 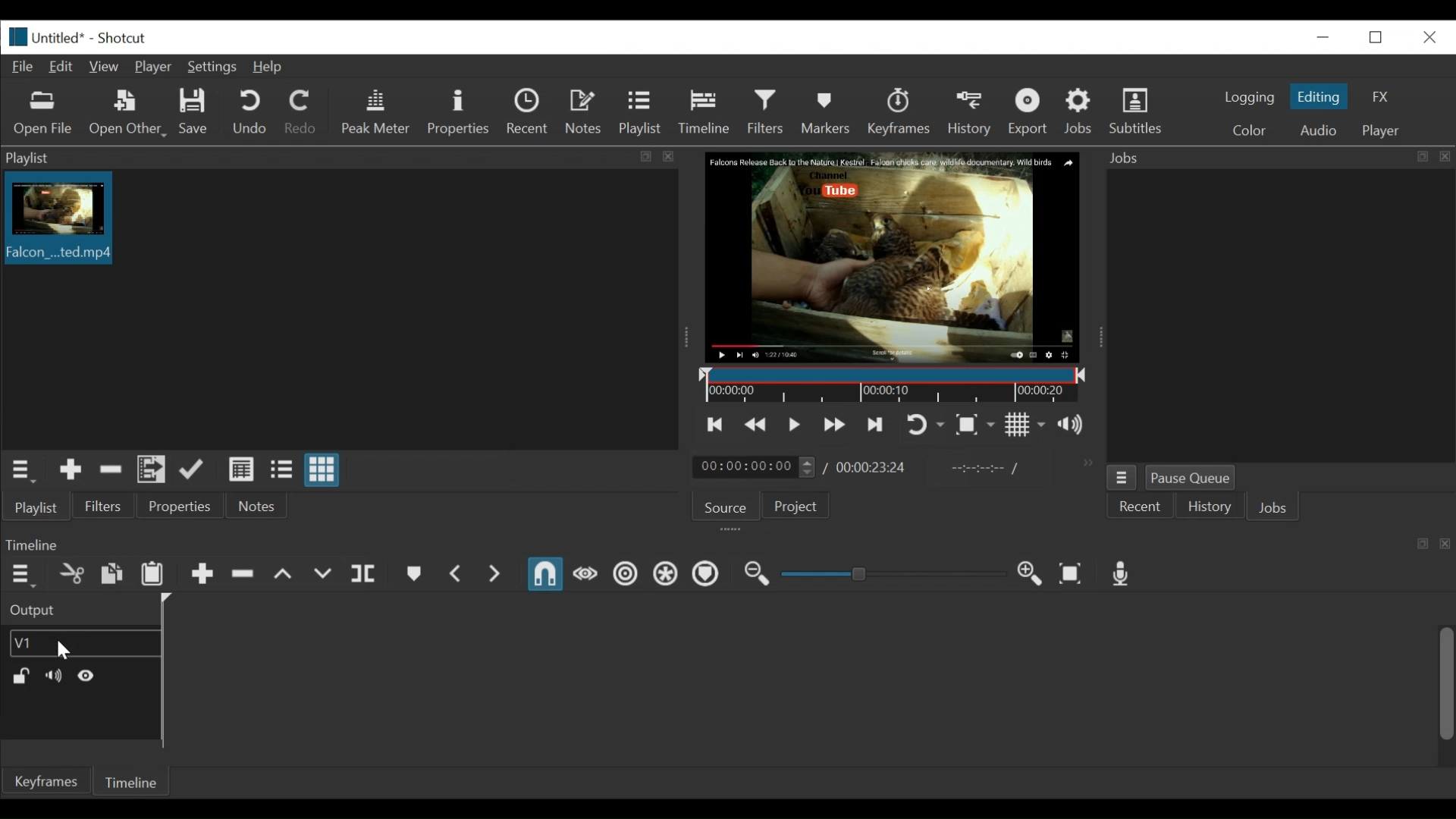 What do you see at coordinates (1025, 425) in the screenshot?
I see `Toggle grid display on the player` at bounding box center [1025, 425].